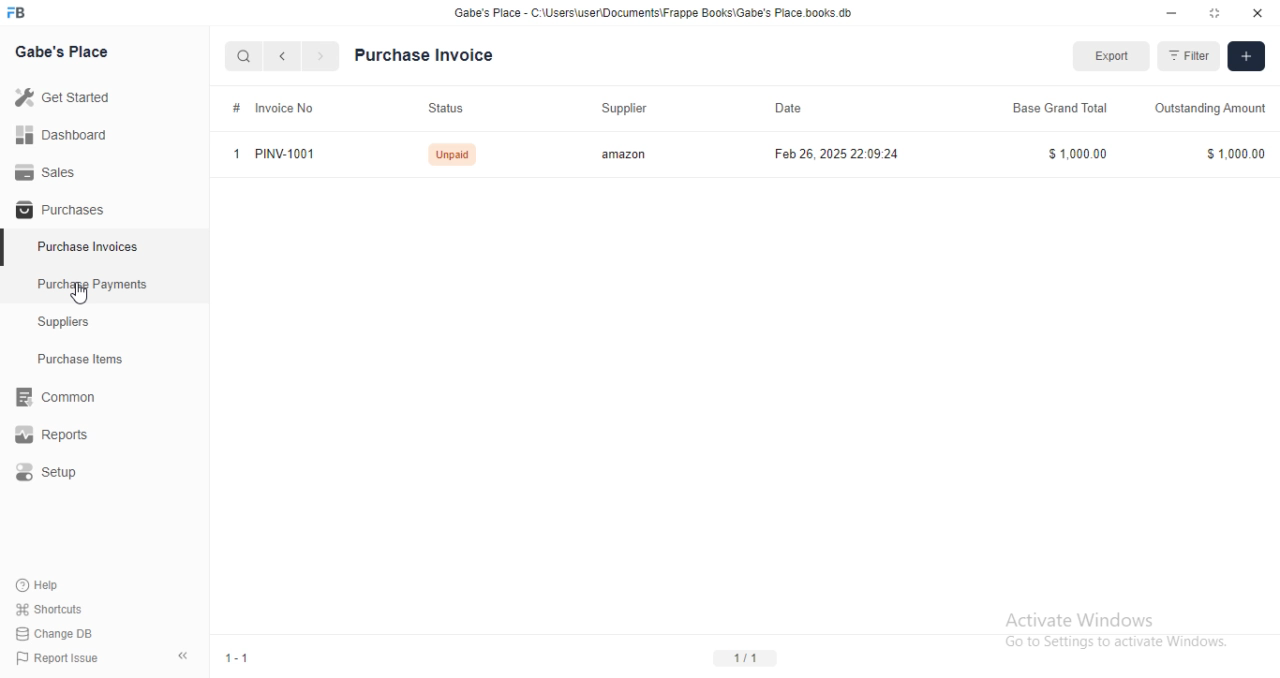  Describe the element at coordinates (1246, 57) in the screenshot. I see `Add ` at that location.